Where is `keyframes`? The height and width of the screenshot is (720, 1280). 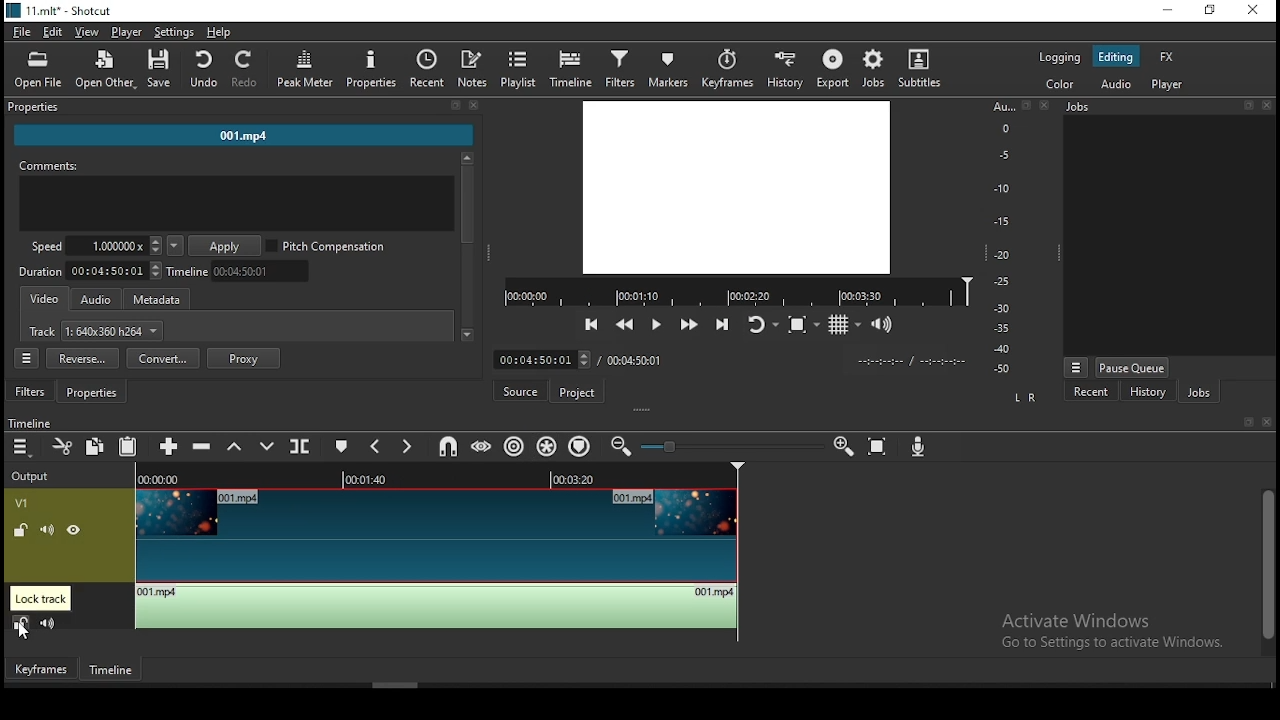 keyframes is located at coordinates (41, 670).